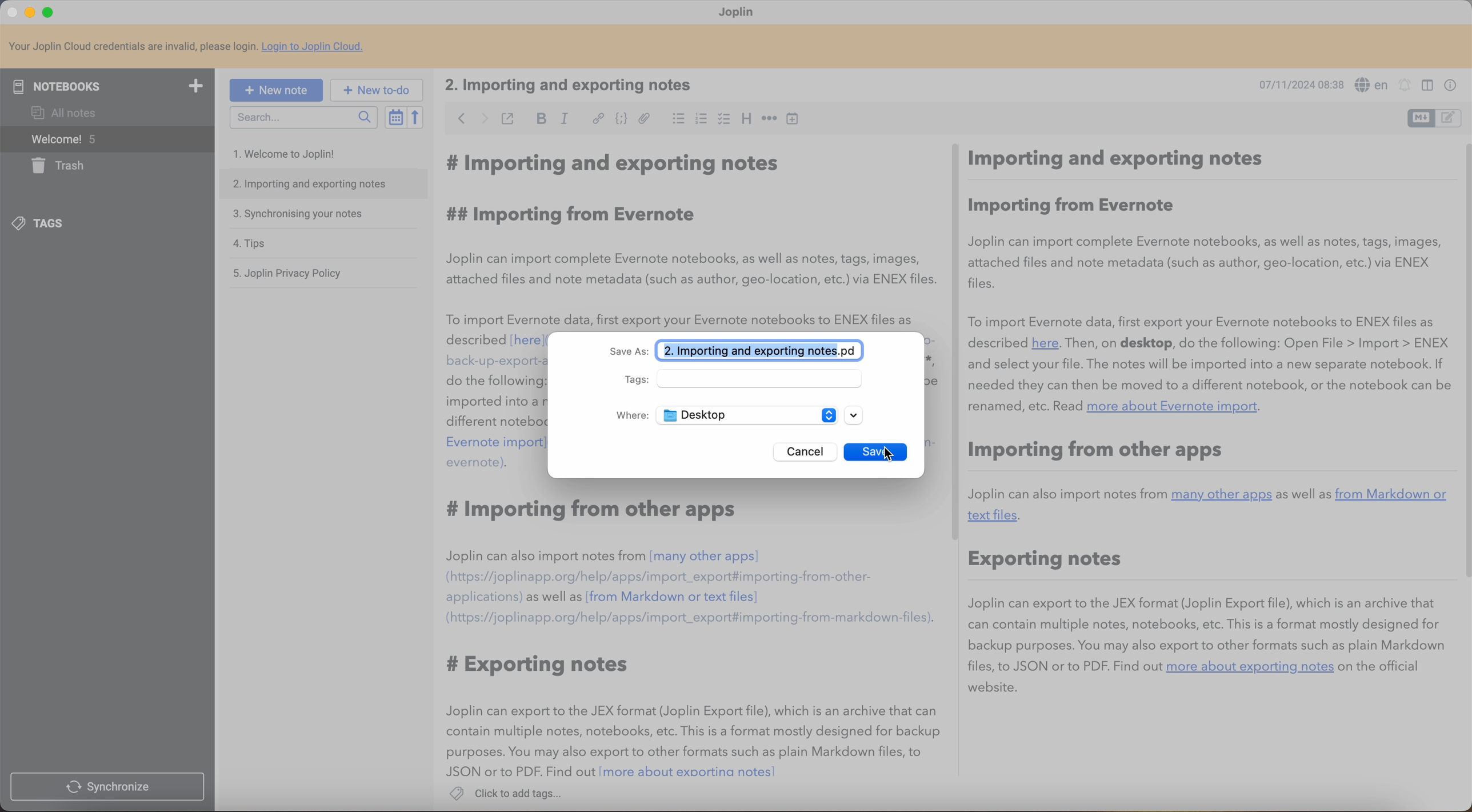 This screenshot has width=1472, height=812. Describe the element at coordinates (1421, 118) in the screenshot. I see `toggle editor layout` at that location.